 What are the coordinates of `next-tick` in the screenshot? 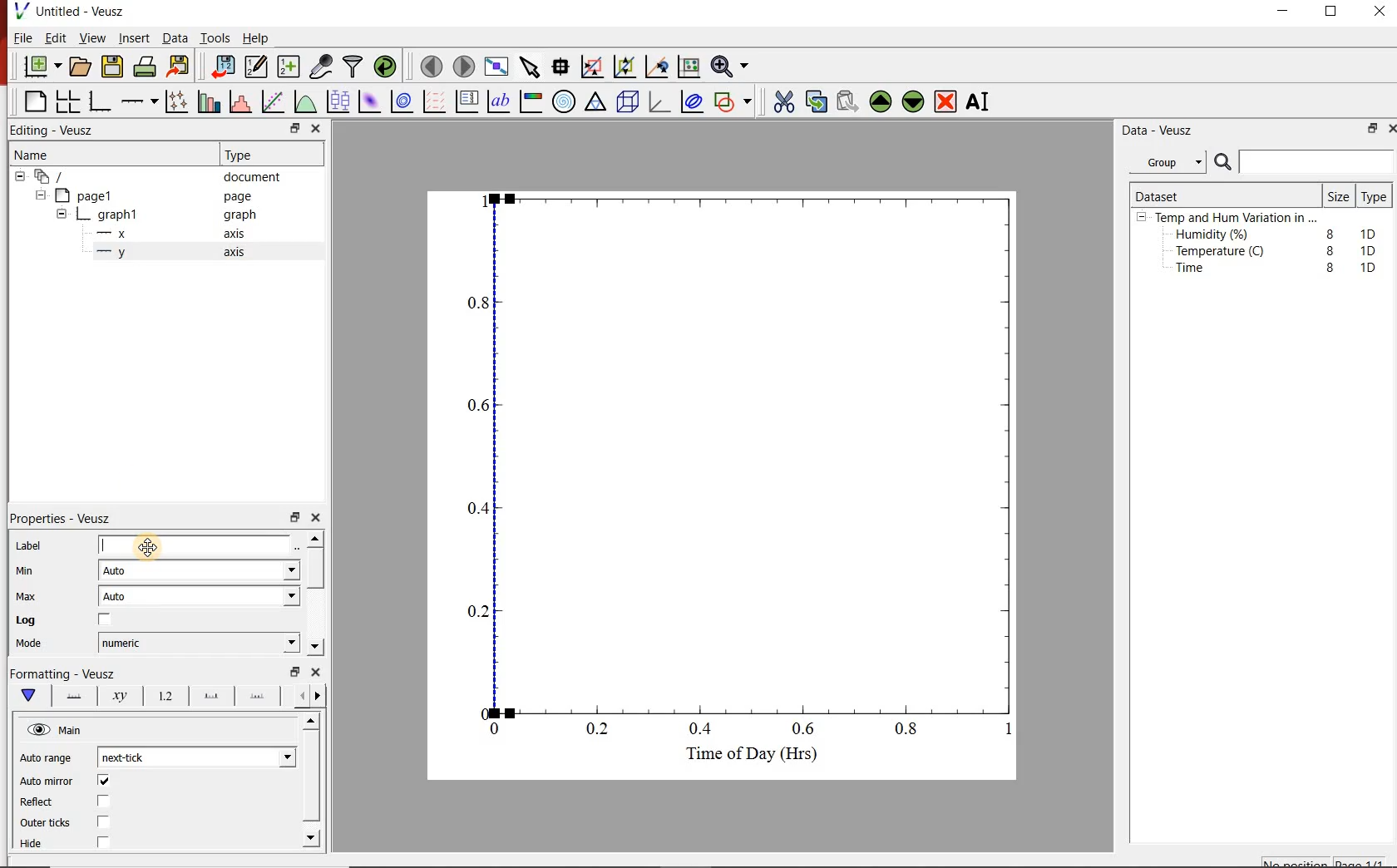 It's located at (136, 757).